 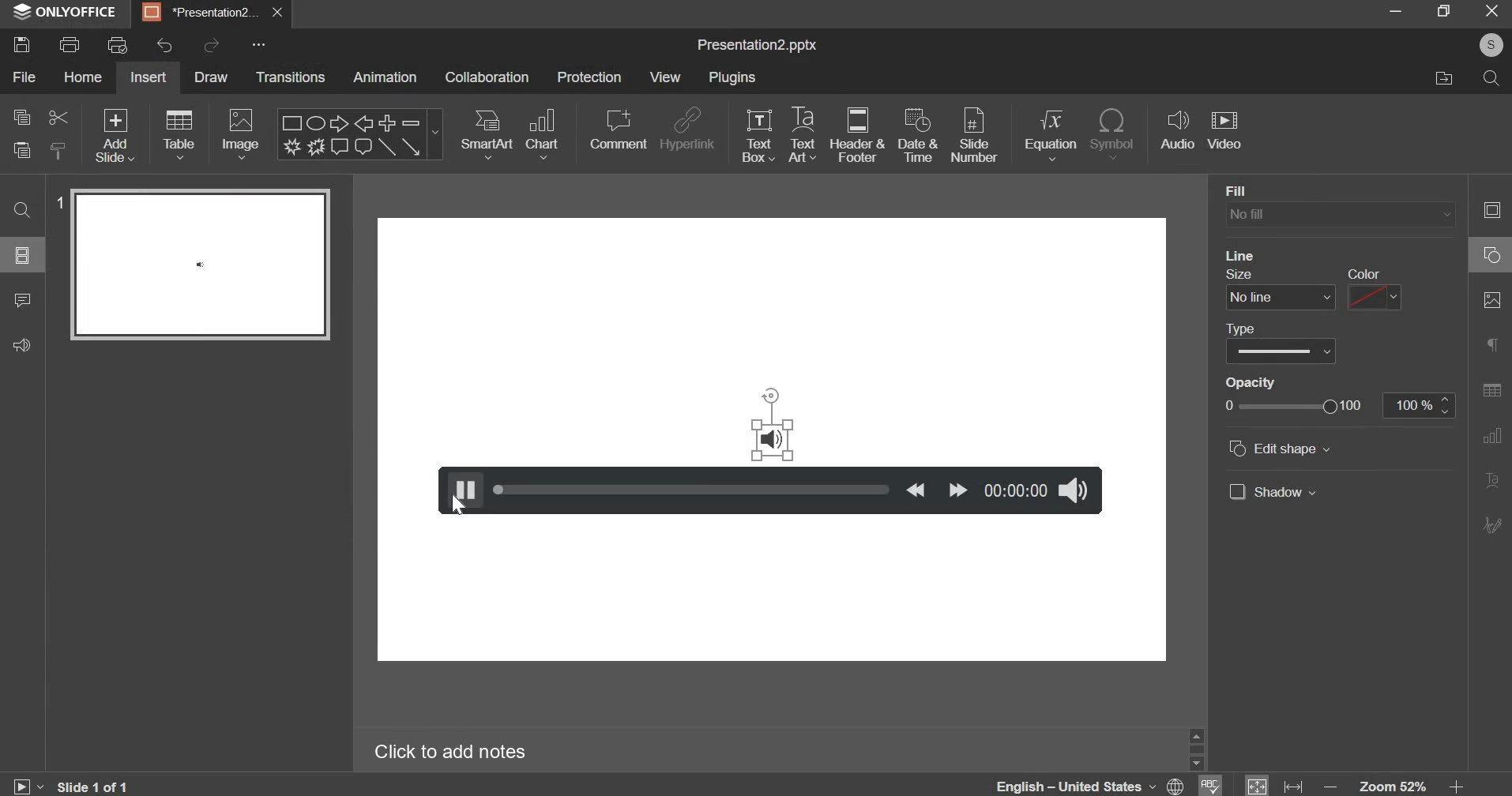 I want to click on hyperlink, so click(x=690, y=127).